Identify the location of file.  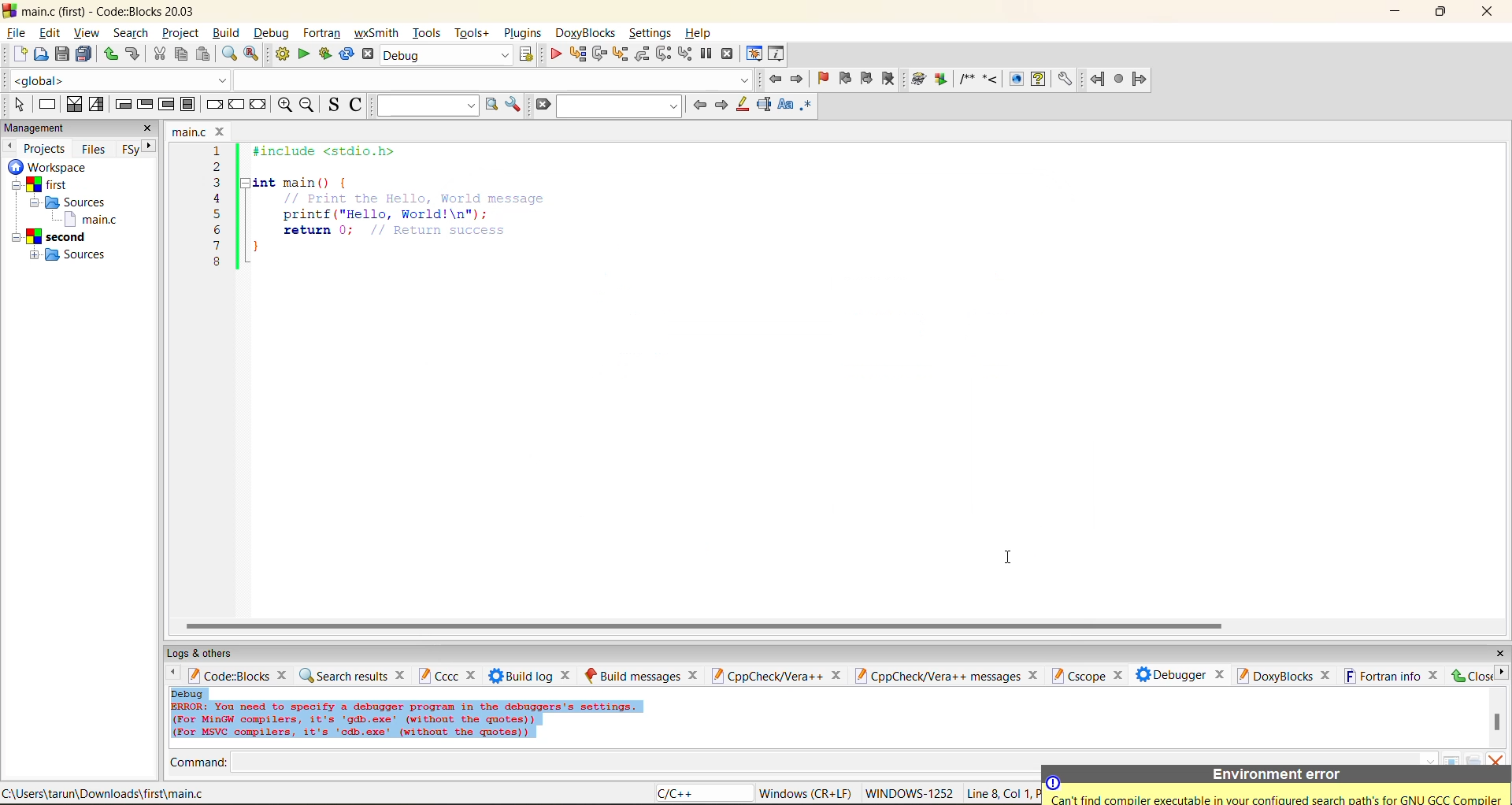
(15, 31).